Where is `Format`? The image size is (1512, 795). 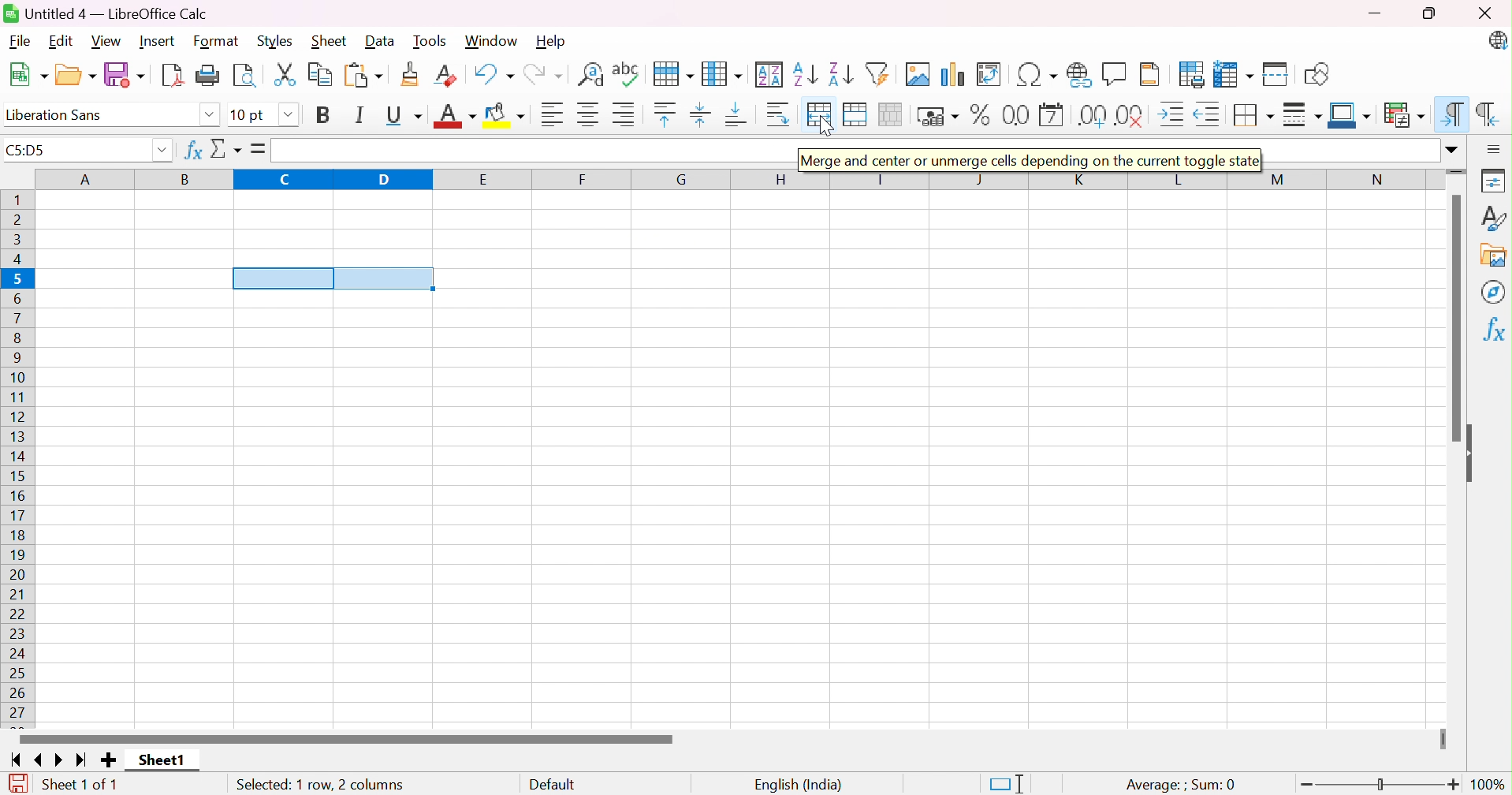 Format is located at coordinates (217, 40).